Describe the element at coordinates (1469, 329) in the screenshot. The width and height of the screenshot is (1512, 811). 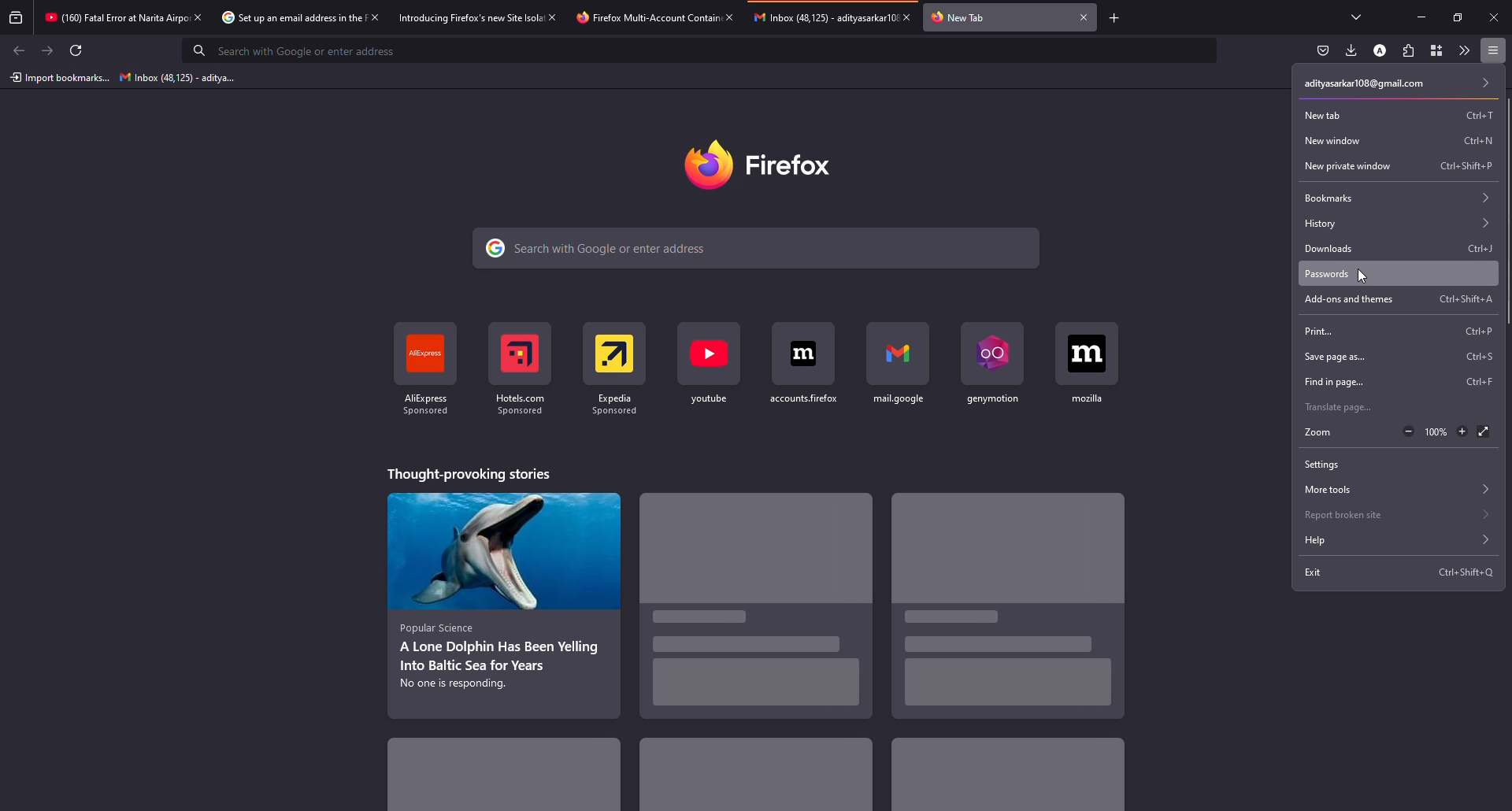
I see `shortcut` at that location.